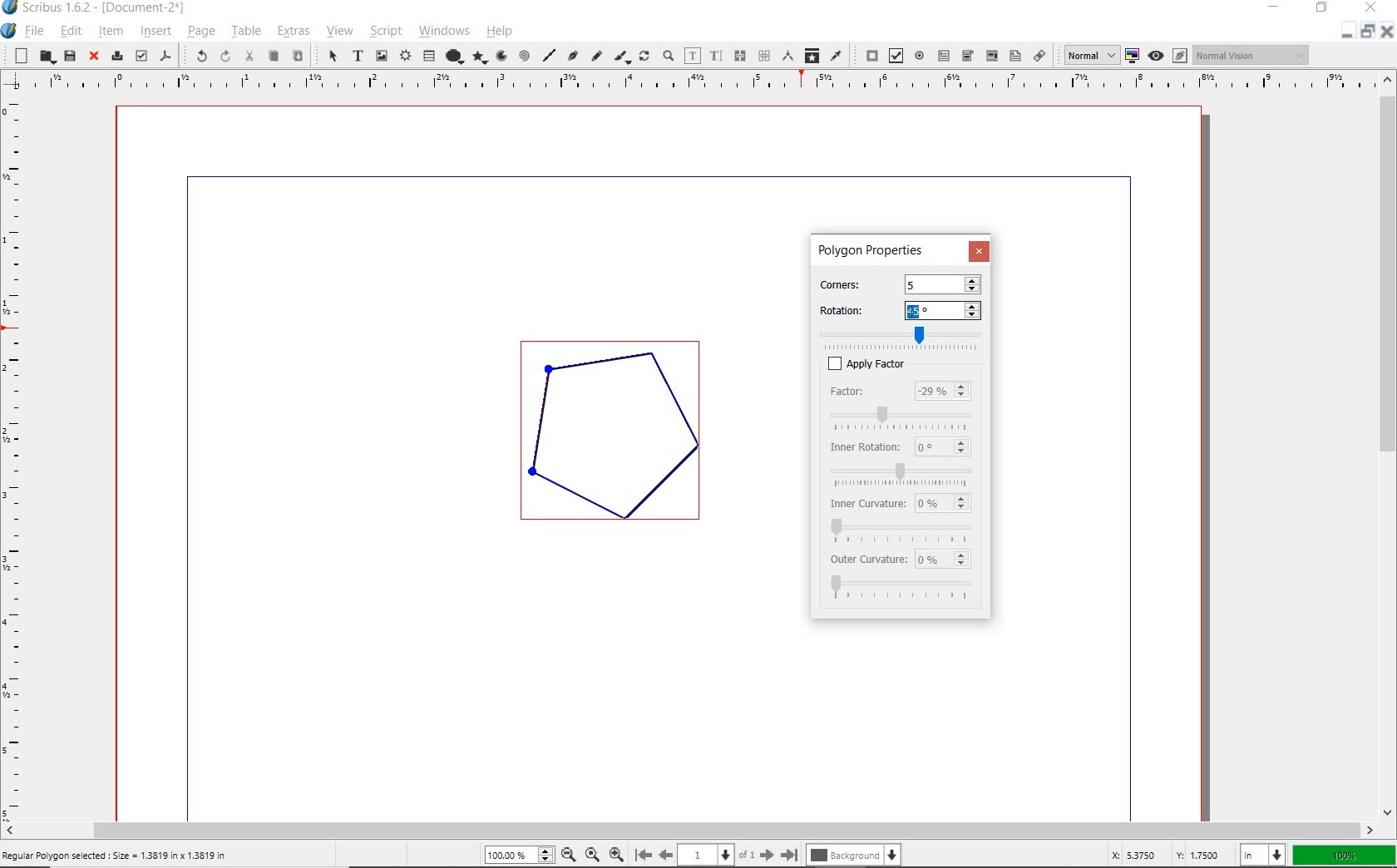 The width and height of the screenshot is (1397, 868). Describe the element at coordinates (717, 55) in the screenshot. I see `edit text with story editor` at that location.